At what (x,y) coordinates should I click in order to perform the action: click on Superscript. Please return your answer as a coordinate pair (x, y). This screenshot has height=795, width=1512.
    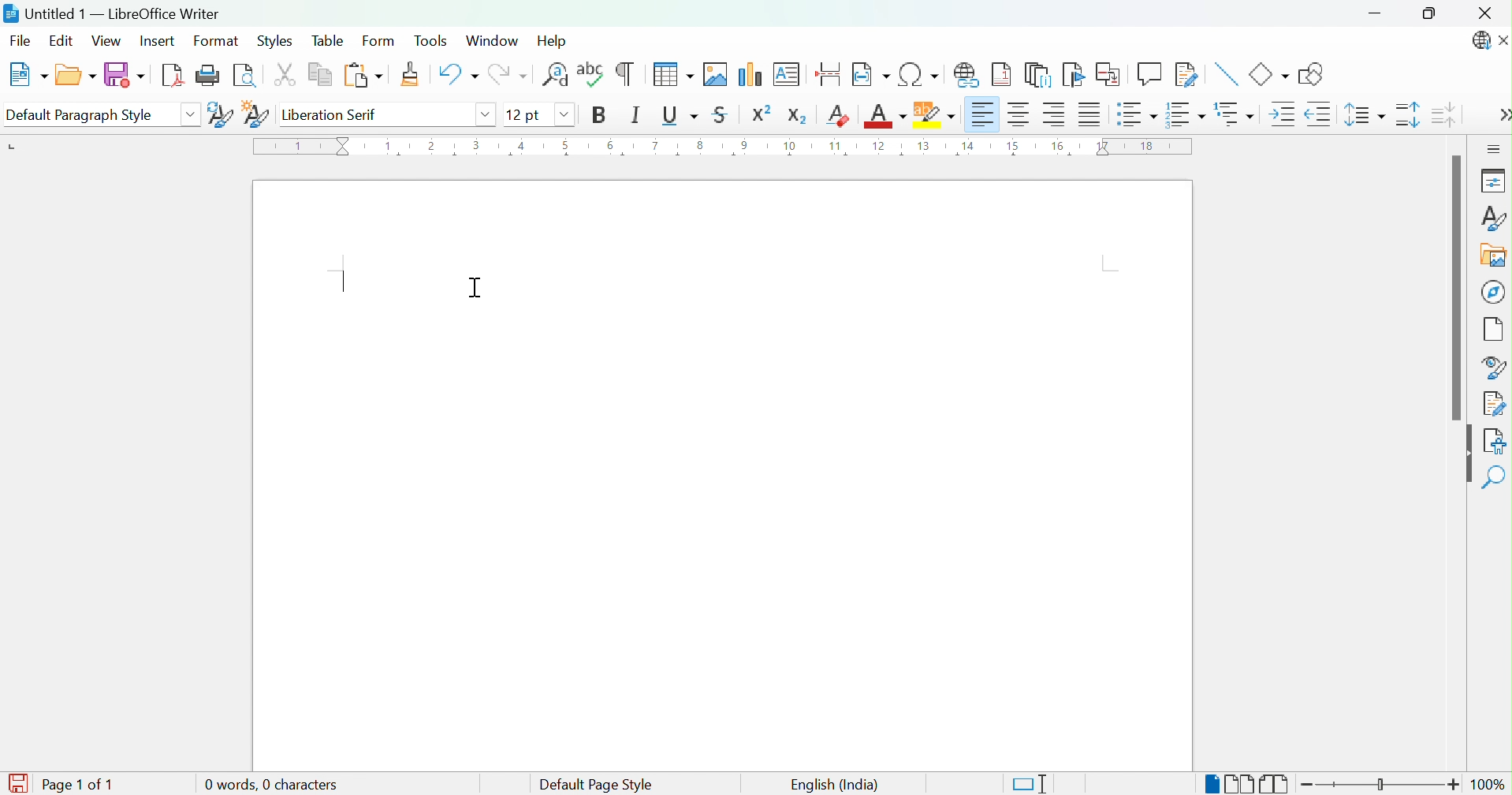
    Looking at the image, I should click on (764, 114).